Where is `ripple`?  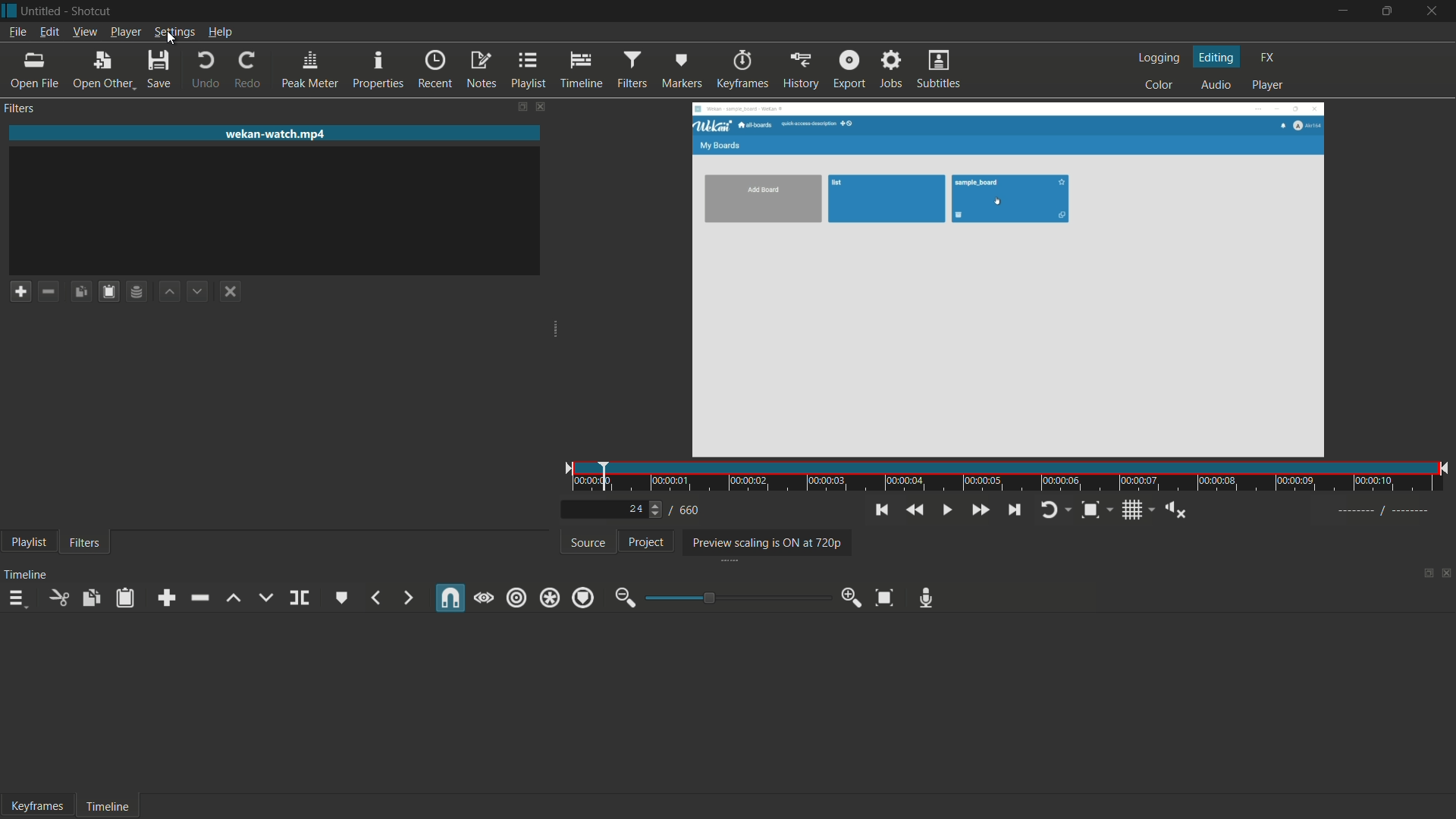 ripple is located at coordinates (515, 598).